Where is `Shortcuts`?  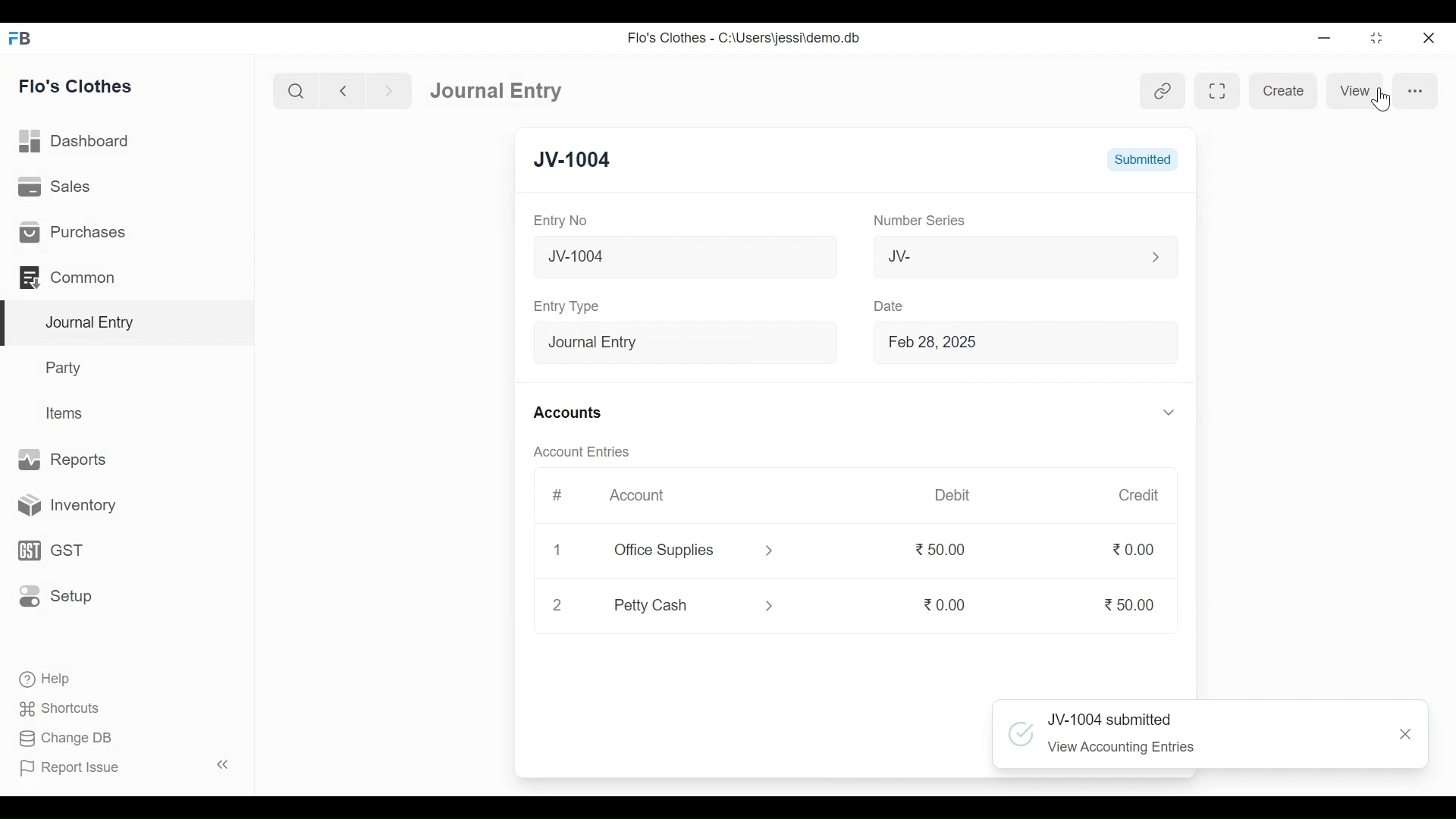 Shortcuts is located at coordinates (68, 706).